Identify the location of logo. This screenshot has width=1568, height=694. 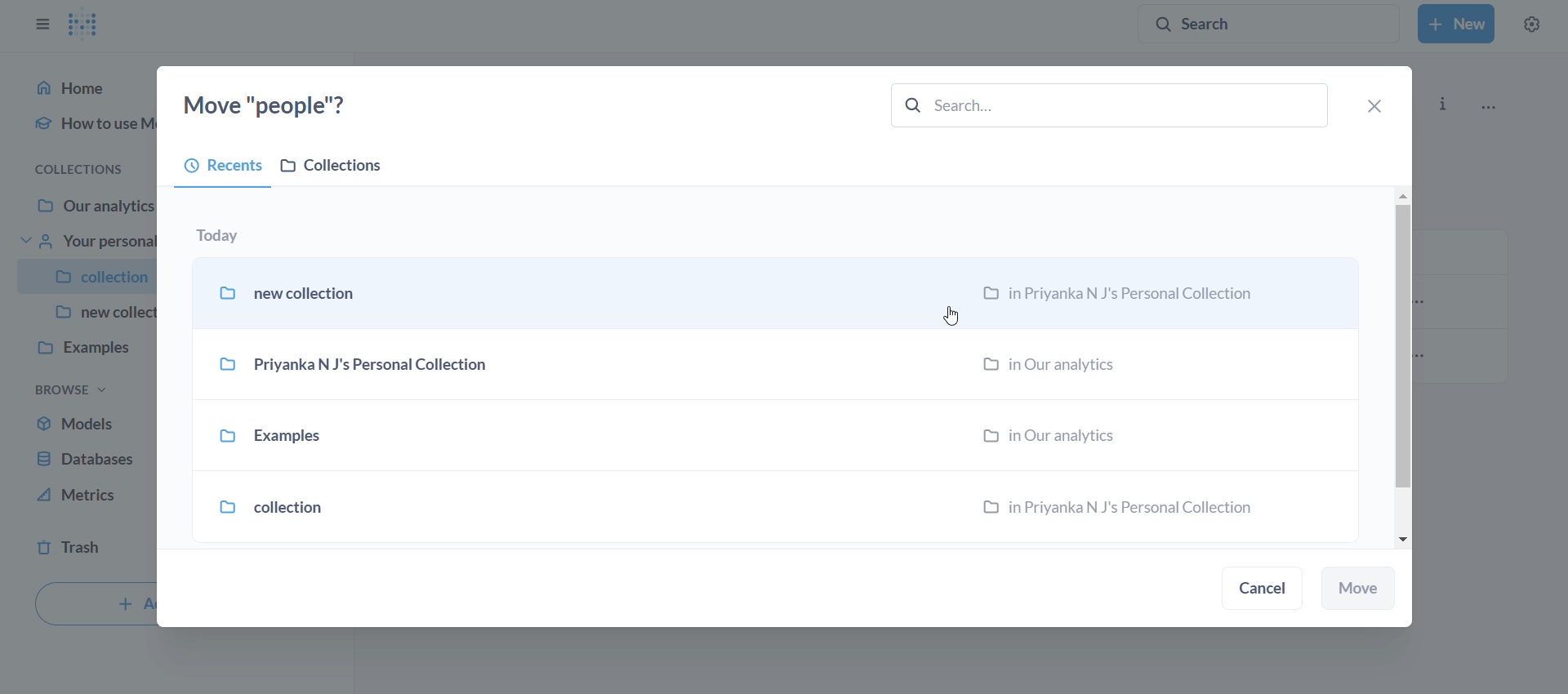
(89, 25).